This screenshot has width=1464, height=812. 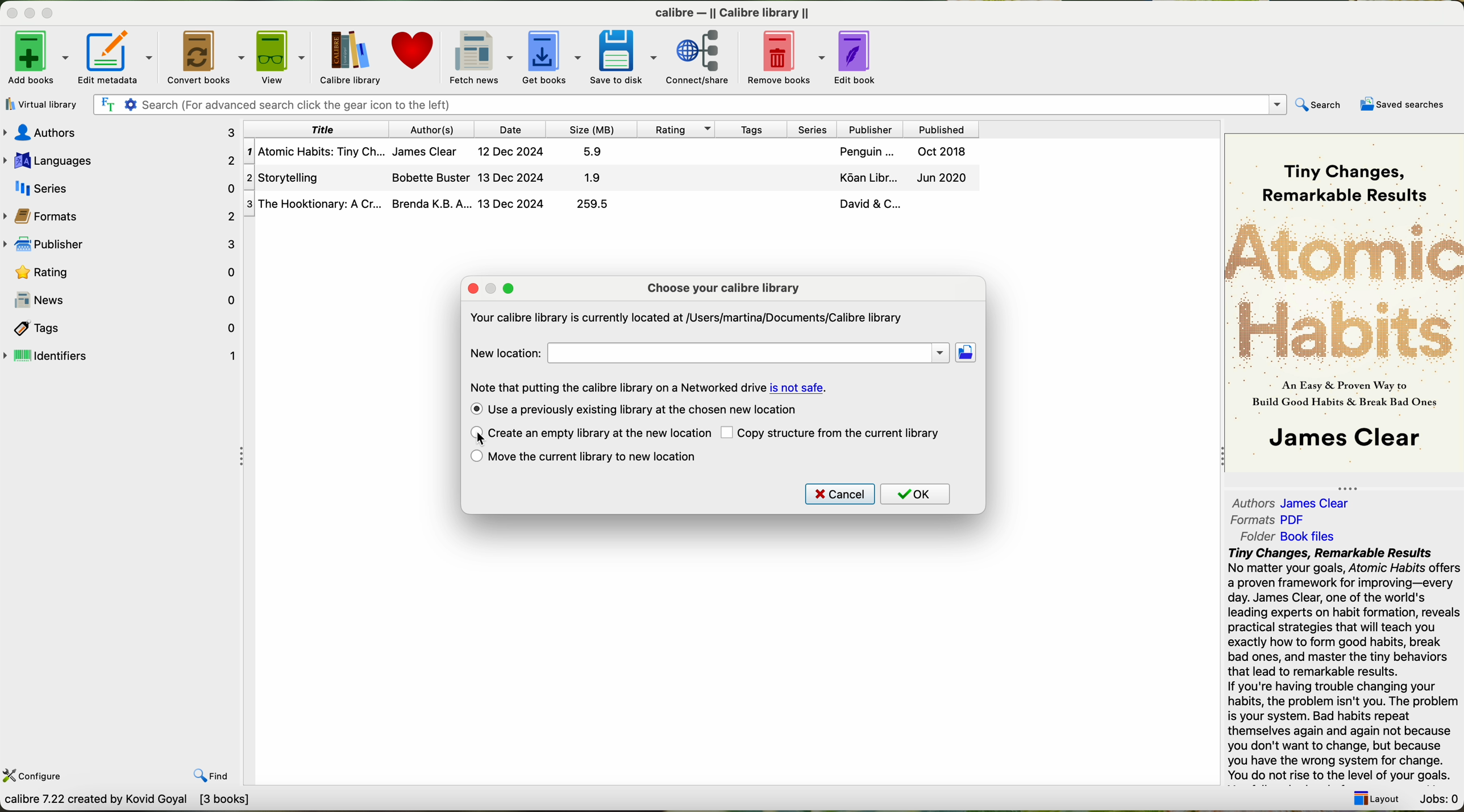 What do you see at coordinates (120, 57) in the screenshot?
I see `edit metadata` at bounding box center [120, 57].